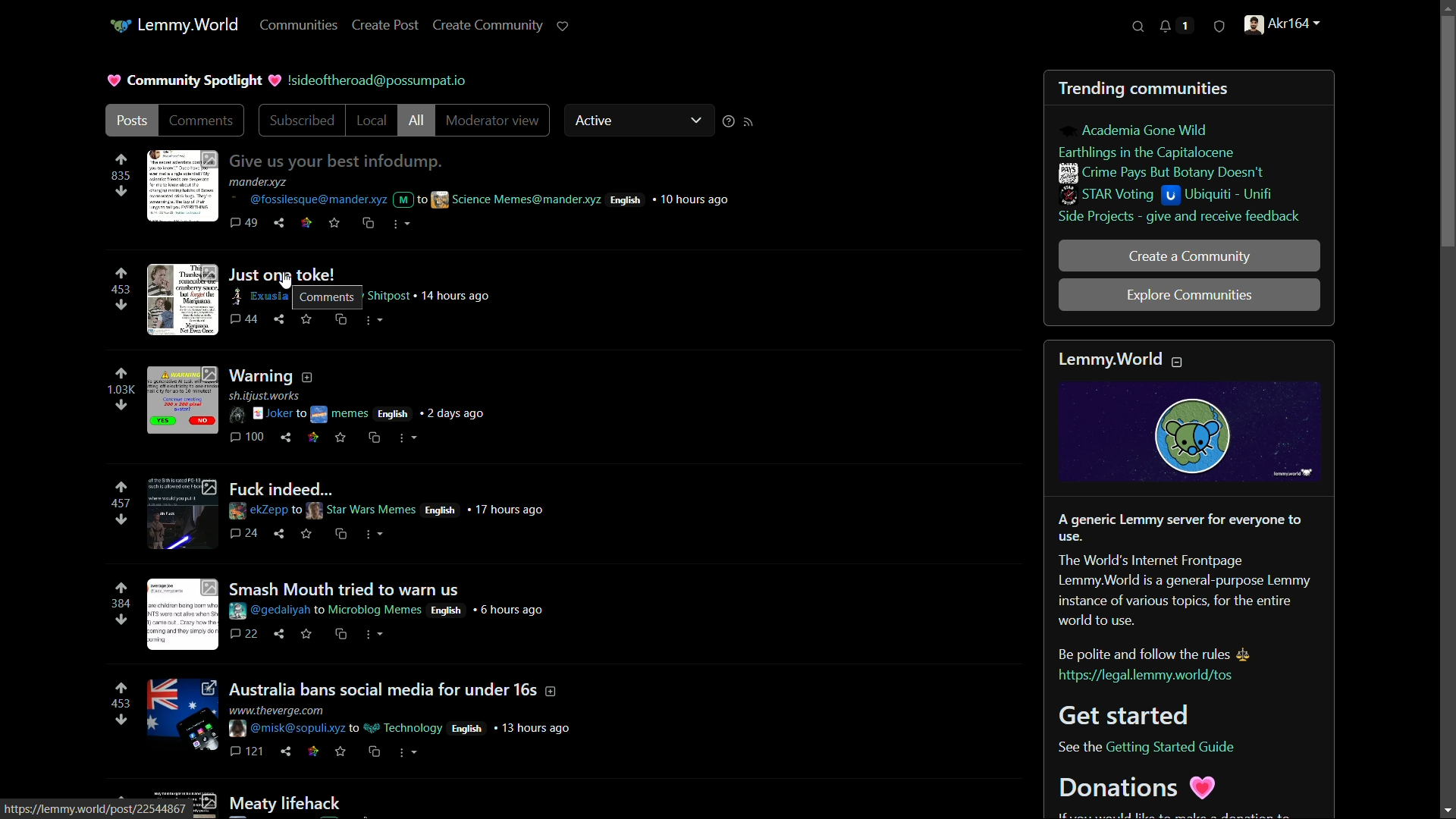  I want to click on Ubiquiti - Unifi, so click(1221, 195).